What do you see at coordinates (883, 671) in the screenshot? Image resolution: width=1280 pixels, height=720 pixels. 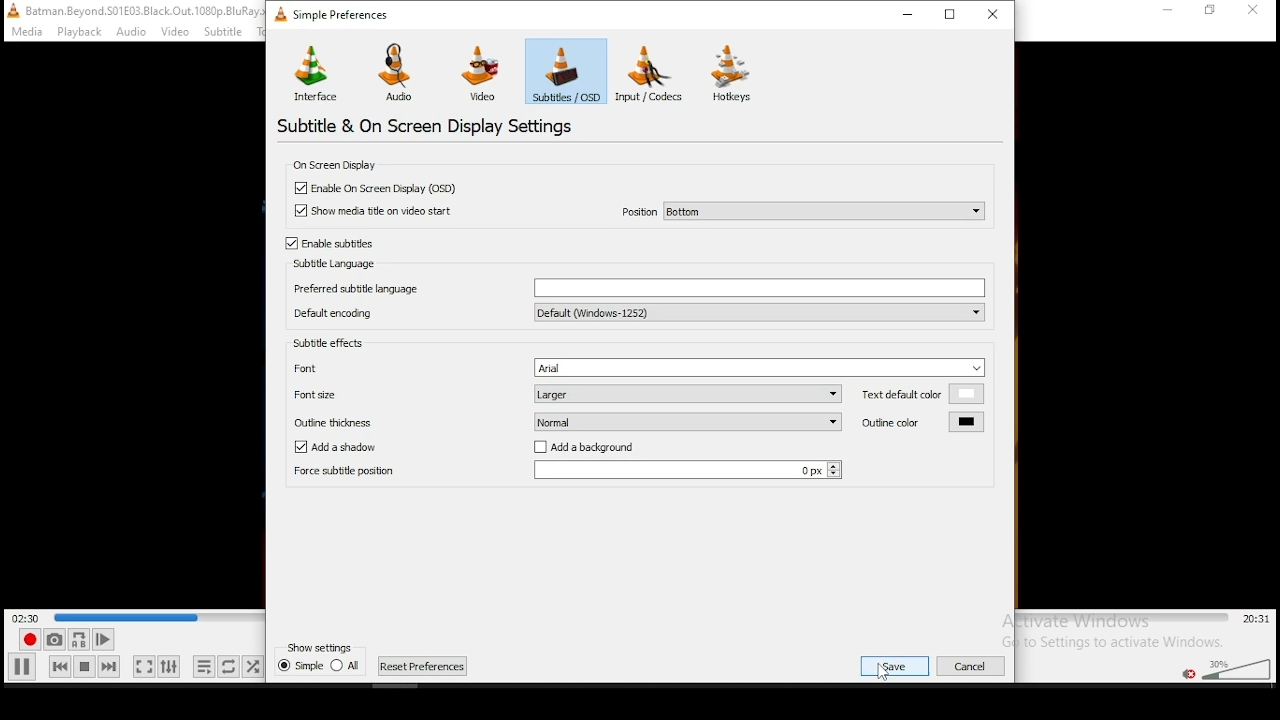 I see `cursor` at bounding box center [883, 671].